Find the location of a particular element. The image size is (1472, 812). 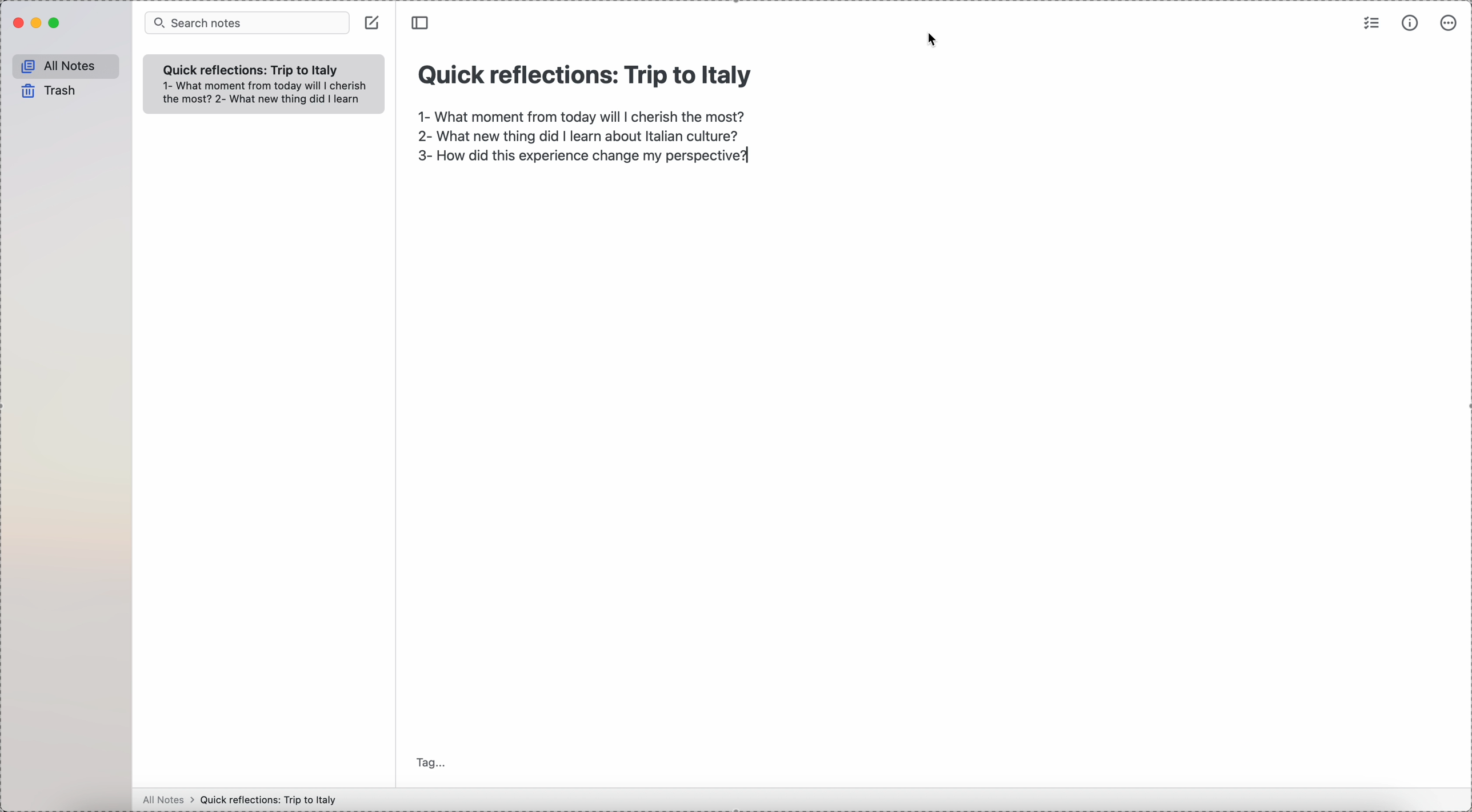

metrics is located at coordinates (1411, 22).